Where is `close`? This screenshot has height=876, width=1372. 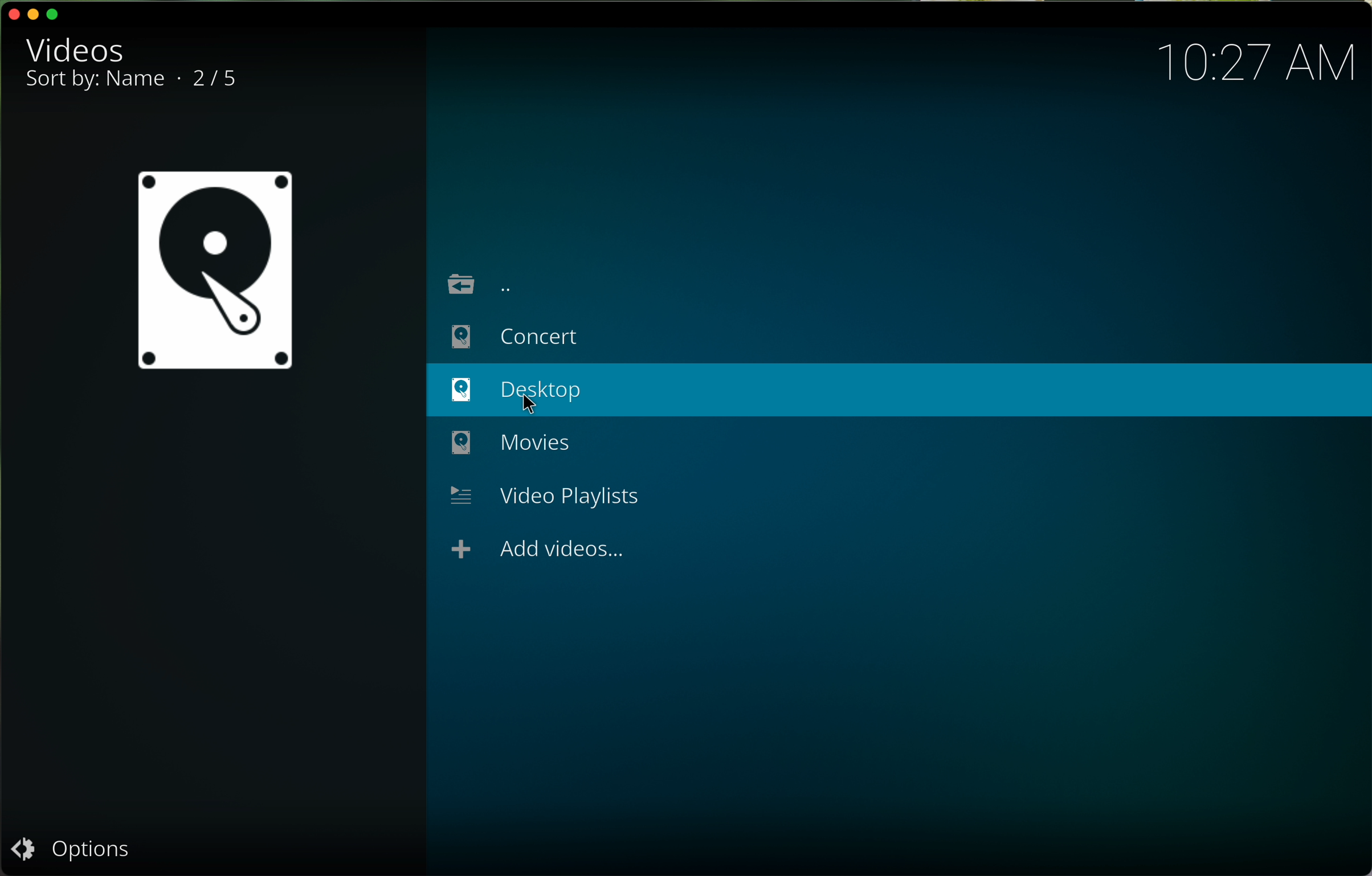
close is located at coordinates (13, 11).